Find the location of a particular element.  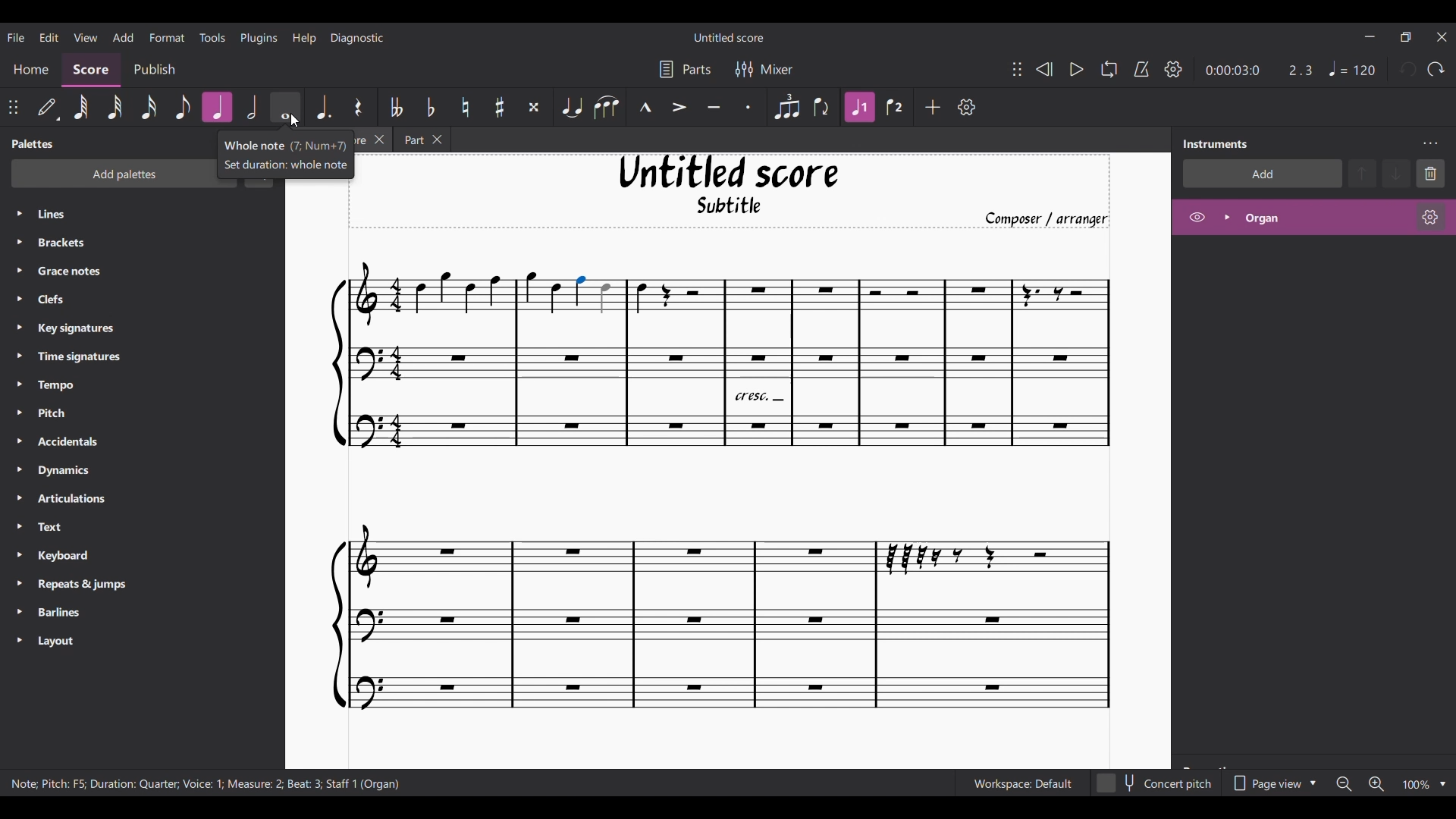

Palette title is located at coordinates (33, 143).